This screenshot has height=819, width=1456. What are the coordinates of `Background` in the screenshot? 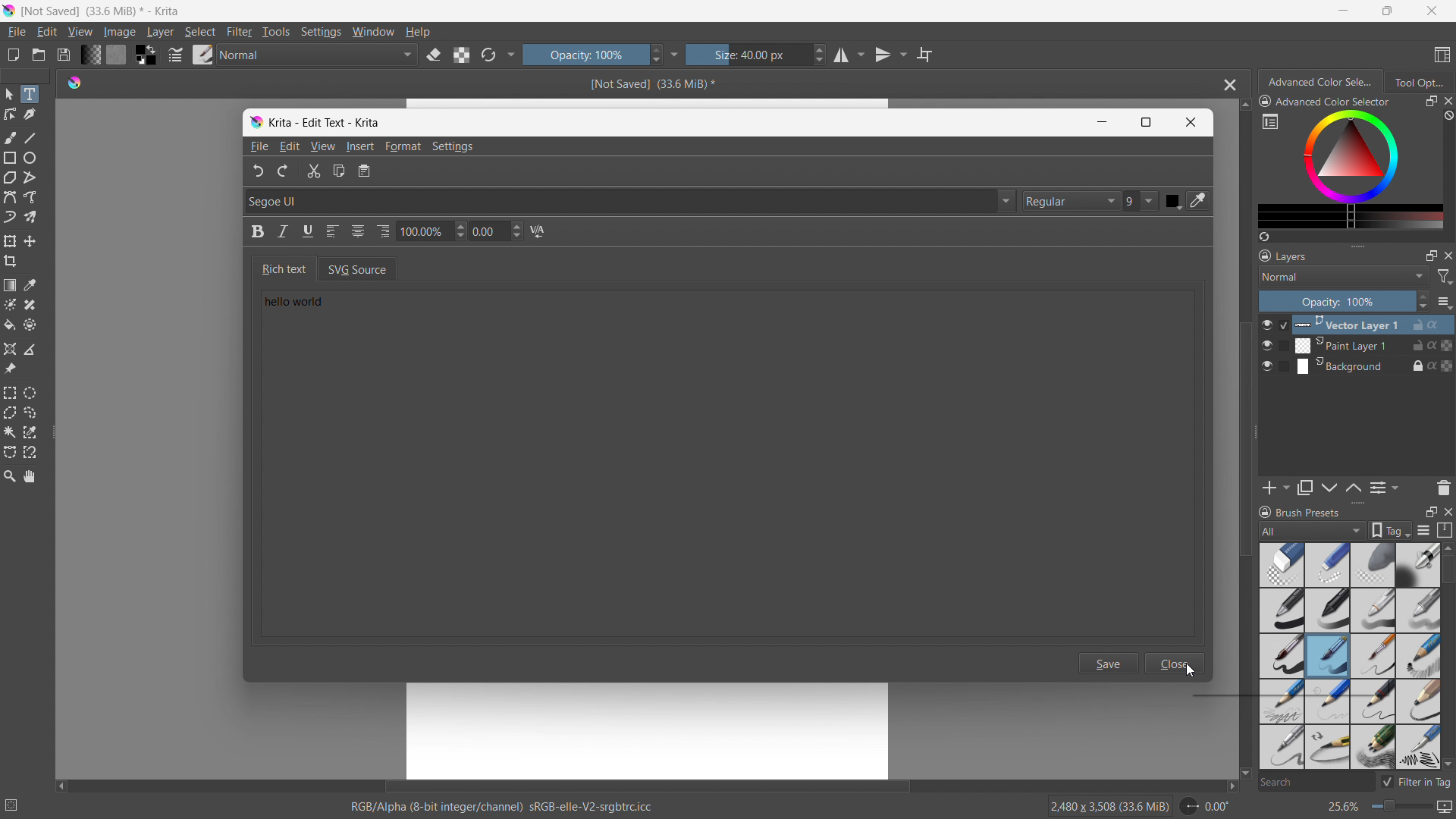 It's located at (1365, 366).